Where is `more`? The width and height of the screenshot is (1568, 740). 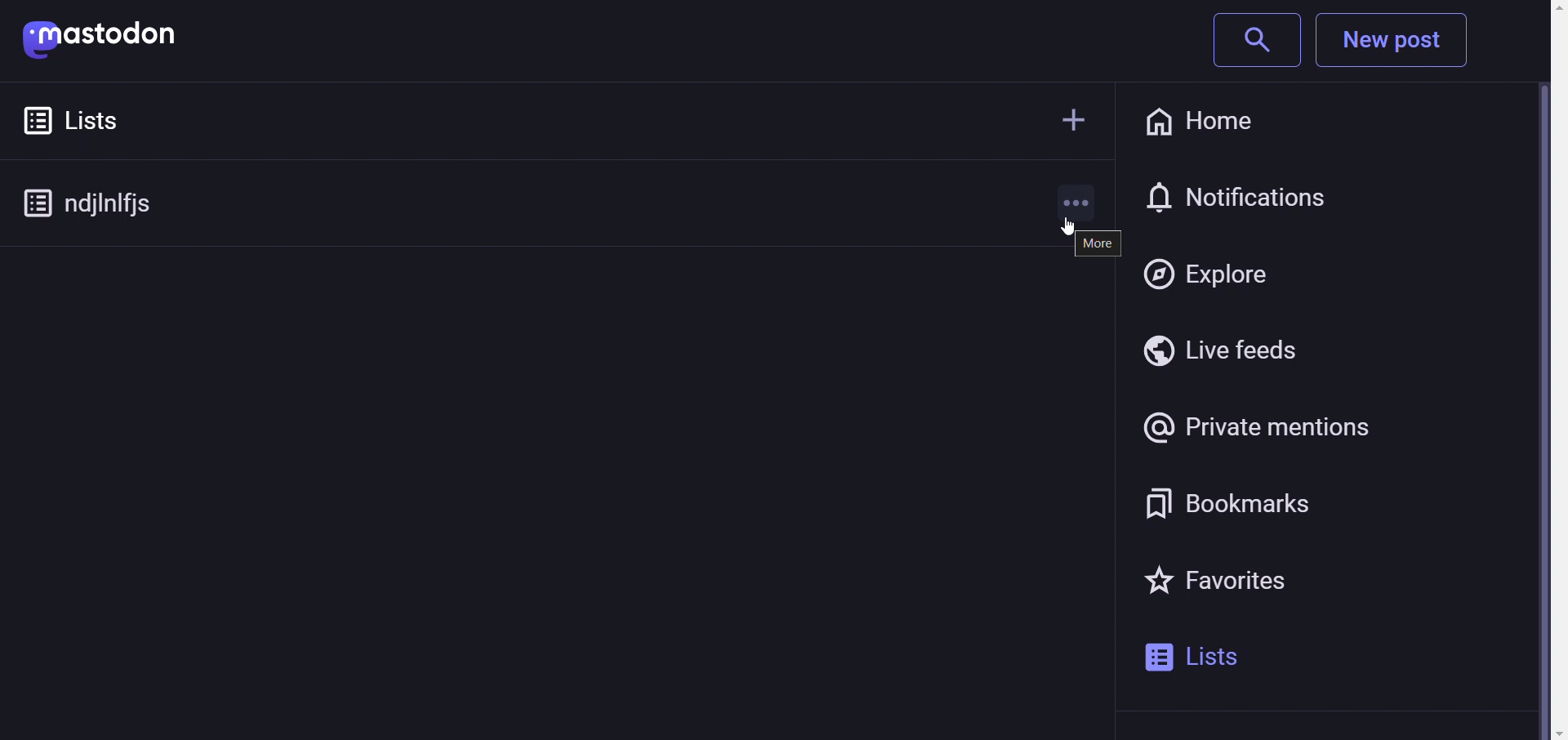
more is located at coordinates (1094, 247).